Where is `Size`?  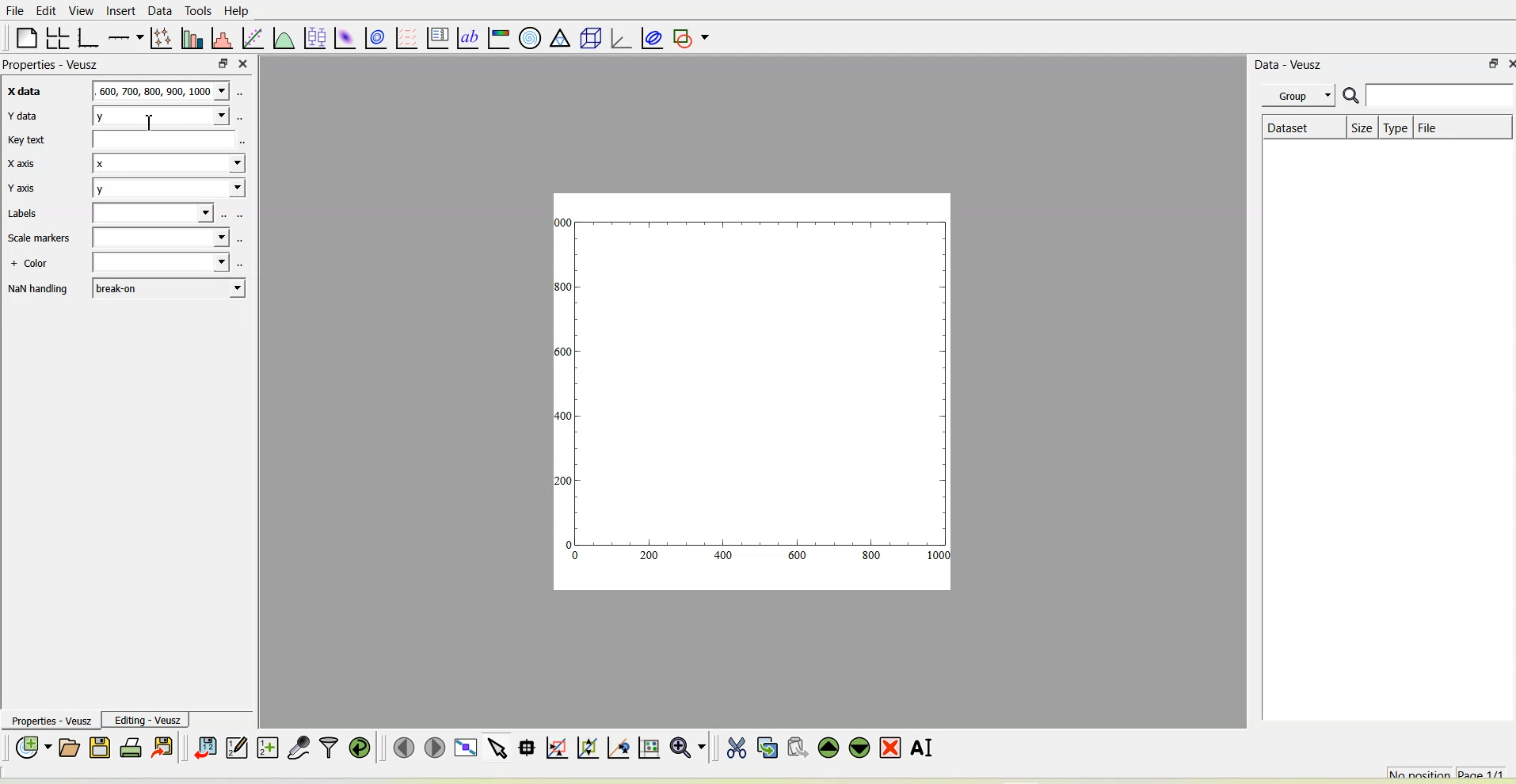 Size is located at coordinates (1362, 127).